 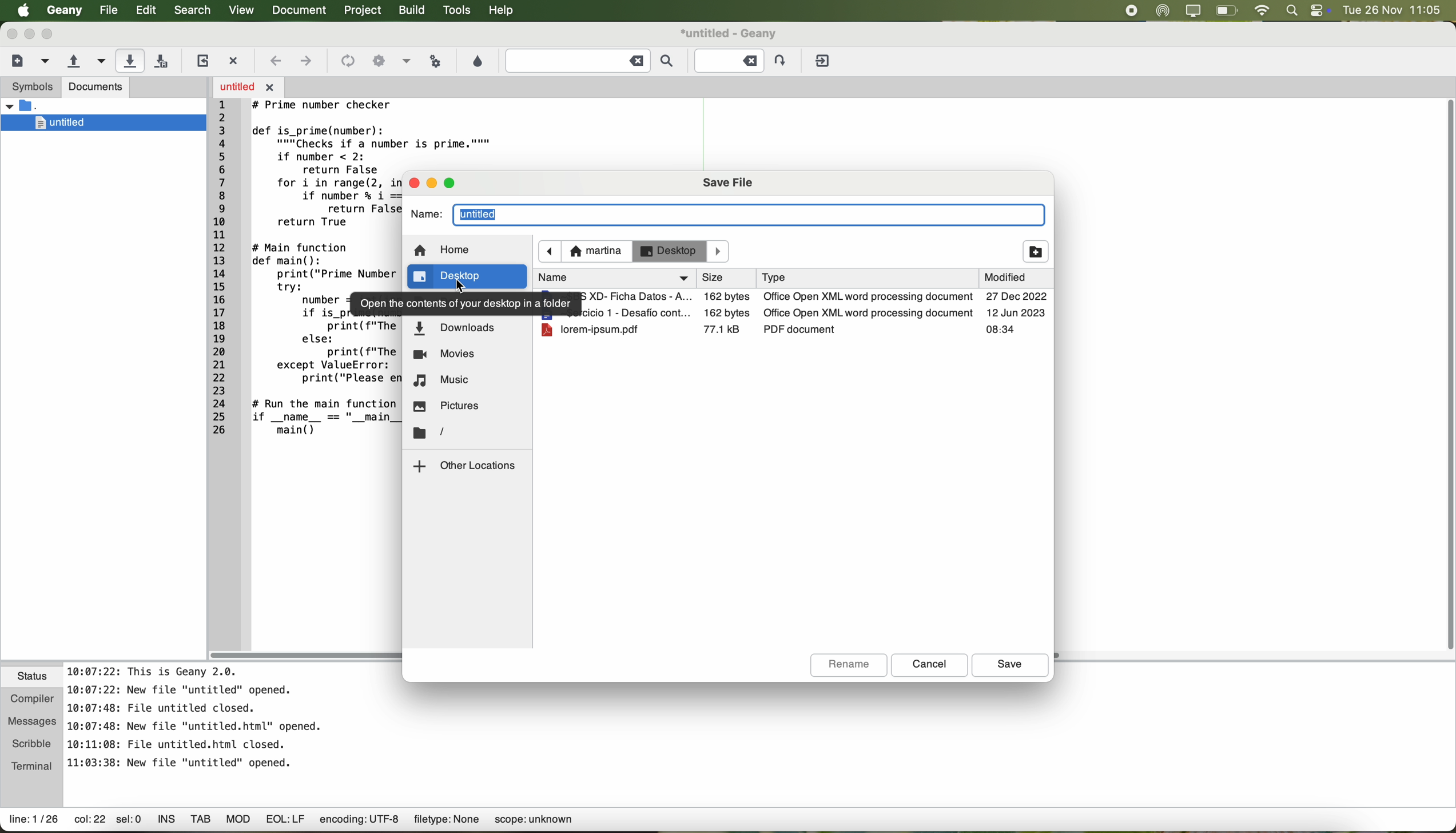 I want to click on save button, so click(x=1009, y=666).